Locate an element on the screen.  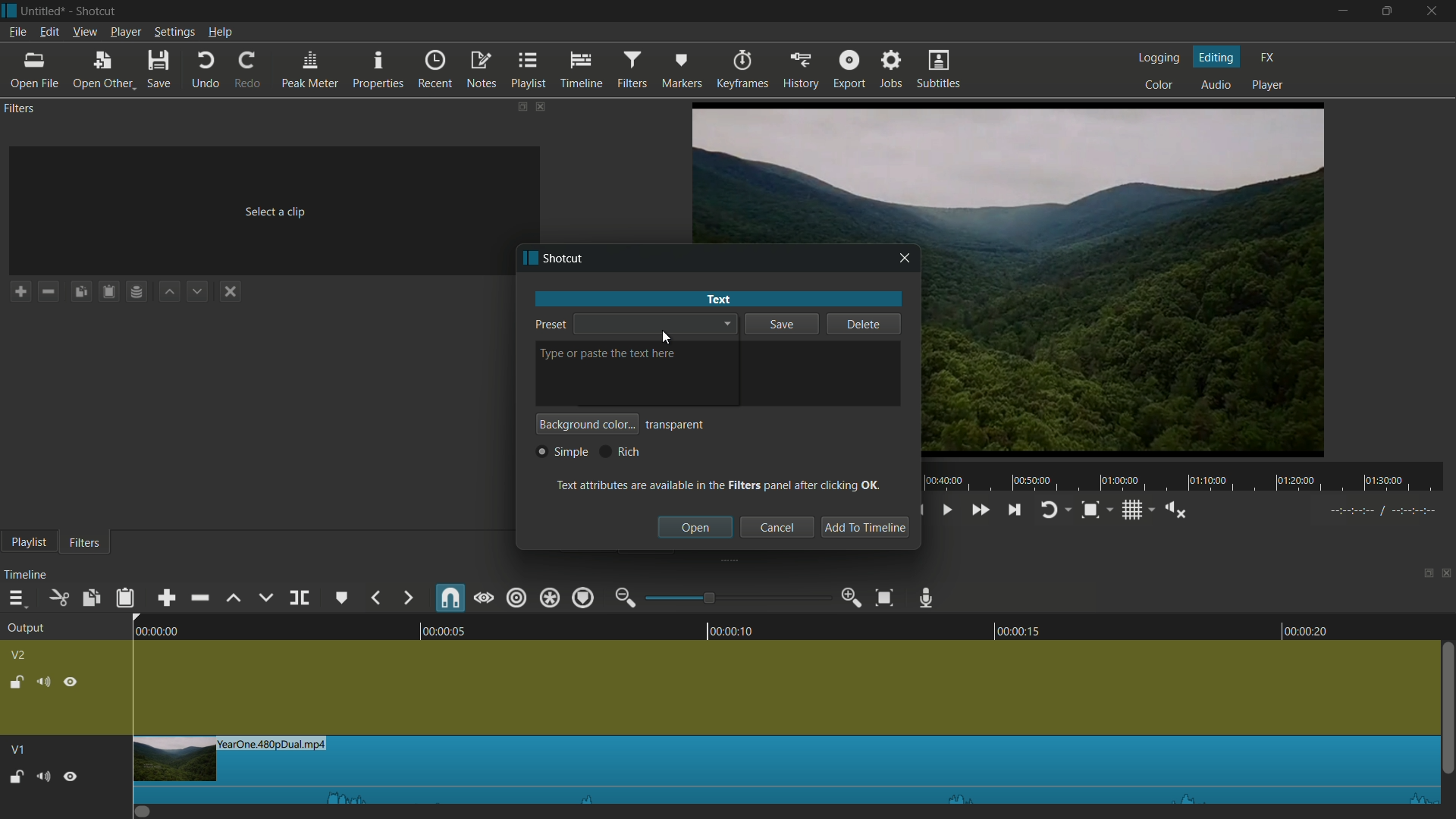
save is located at coordinates (780, 326).